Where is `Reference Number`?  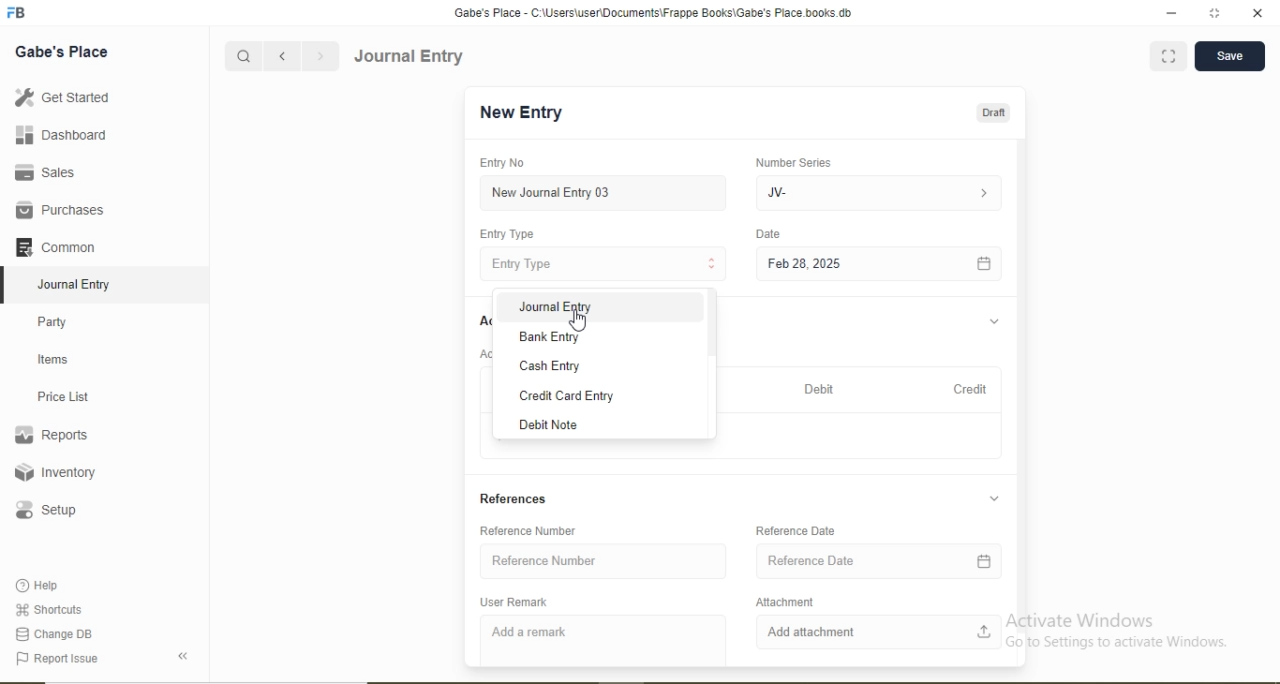
Reference Number is located at coordinates (527, 532).